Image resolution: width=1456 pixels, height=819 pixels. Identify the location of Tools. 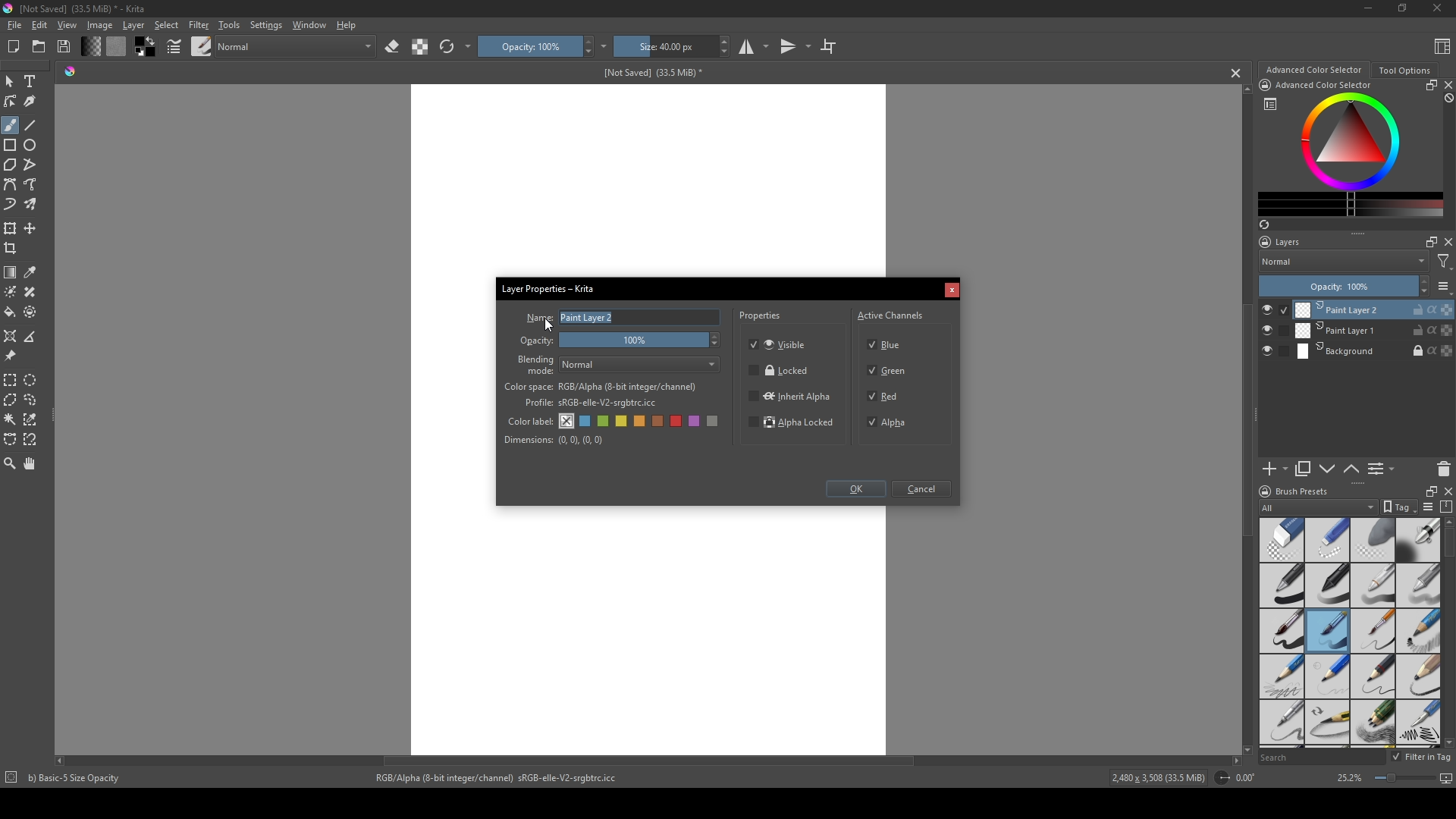
(229, 24).